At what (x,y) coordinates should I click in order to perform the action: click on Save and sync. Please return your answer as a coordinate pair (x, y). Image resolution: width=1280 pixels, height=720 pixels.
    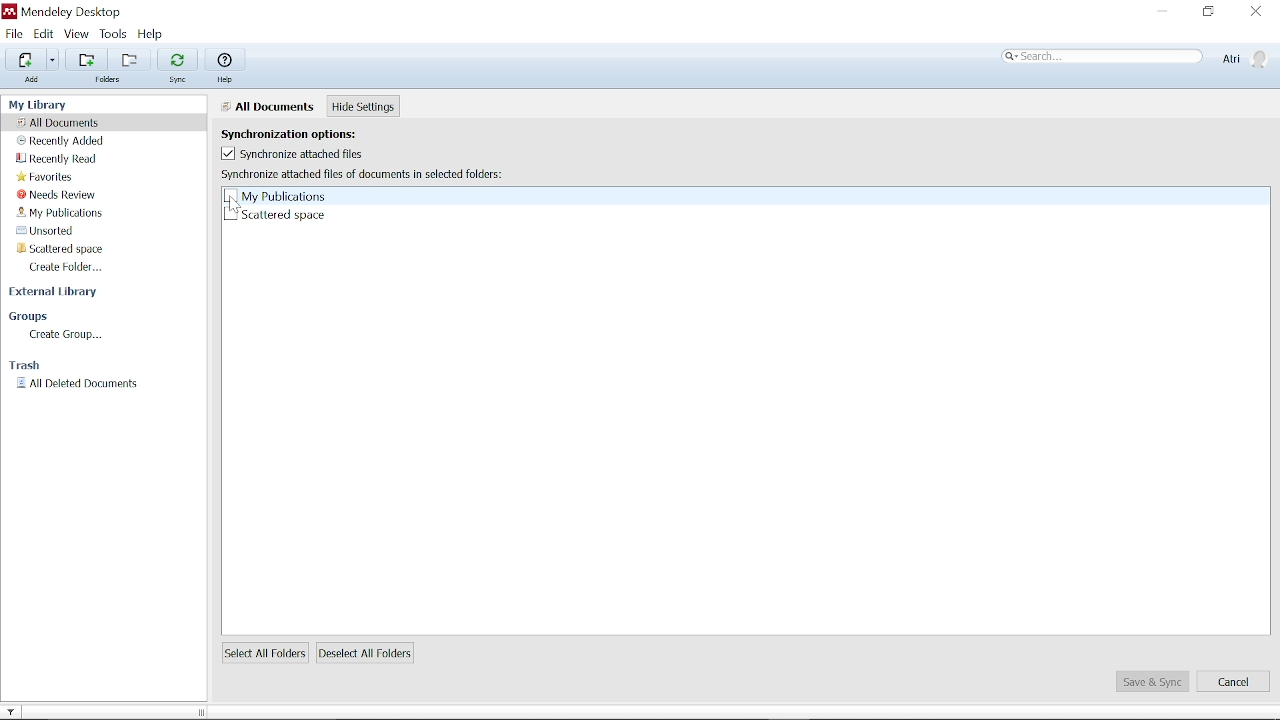
    Looking at the image, I should click on (1151, 682).